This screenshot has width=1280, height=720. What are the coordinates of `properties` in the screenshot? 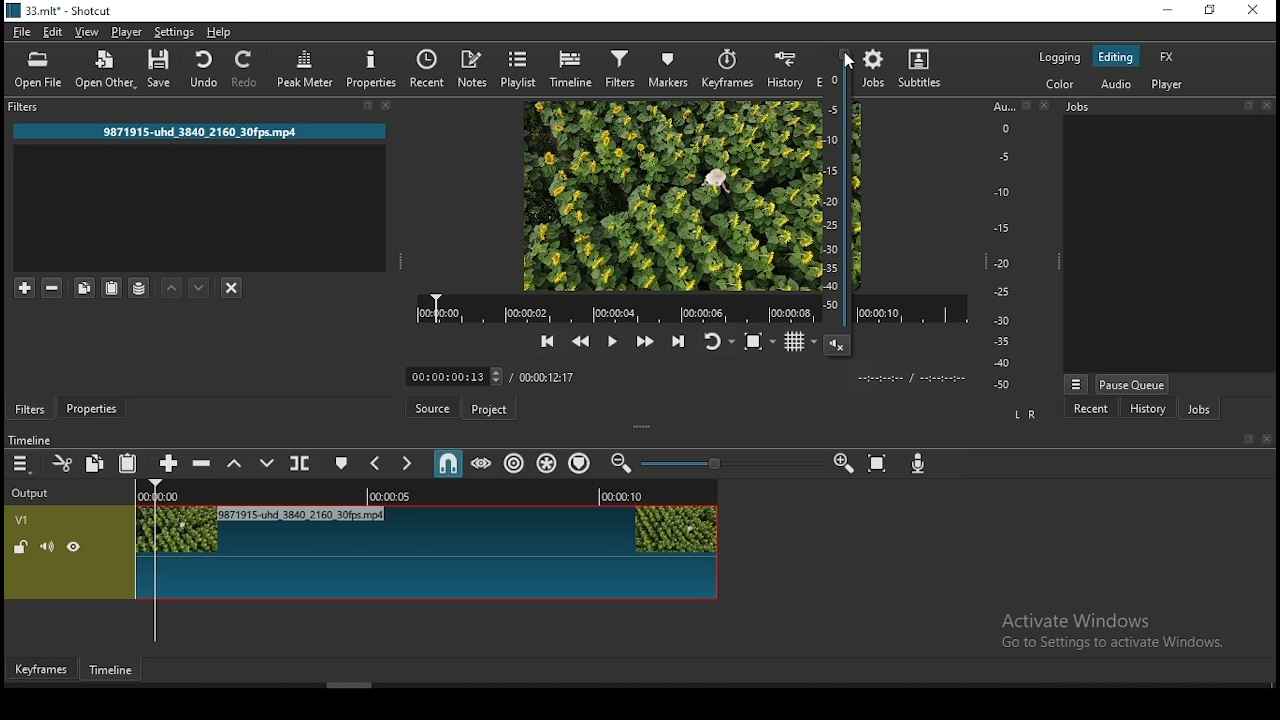 It's located at (369, 67).